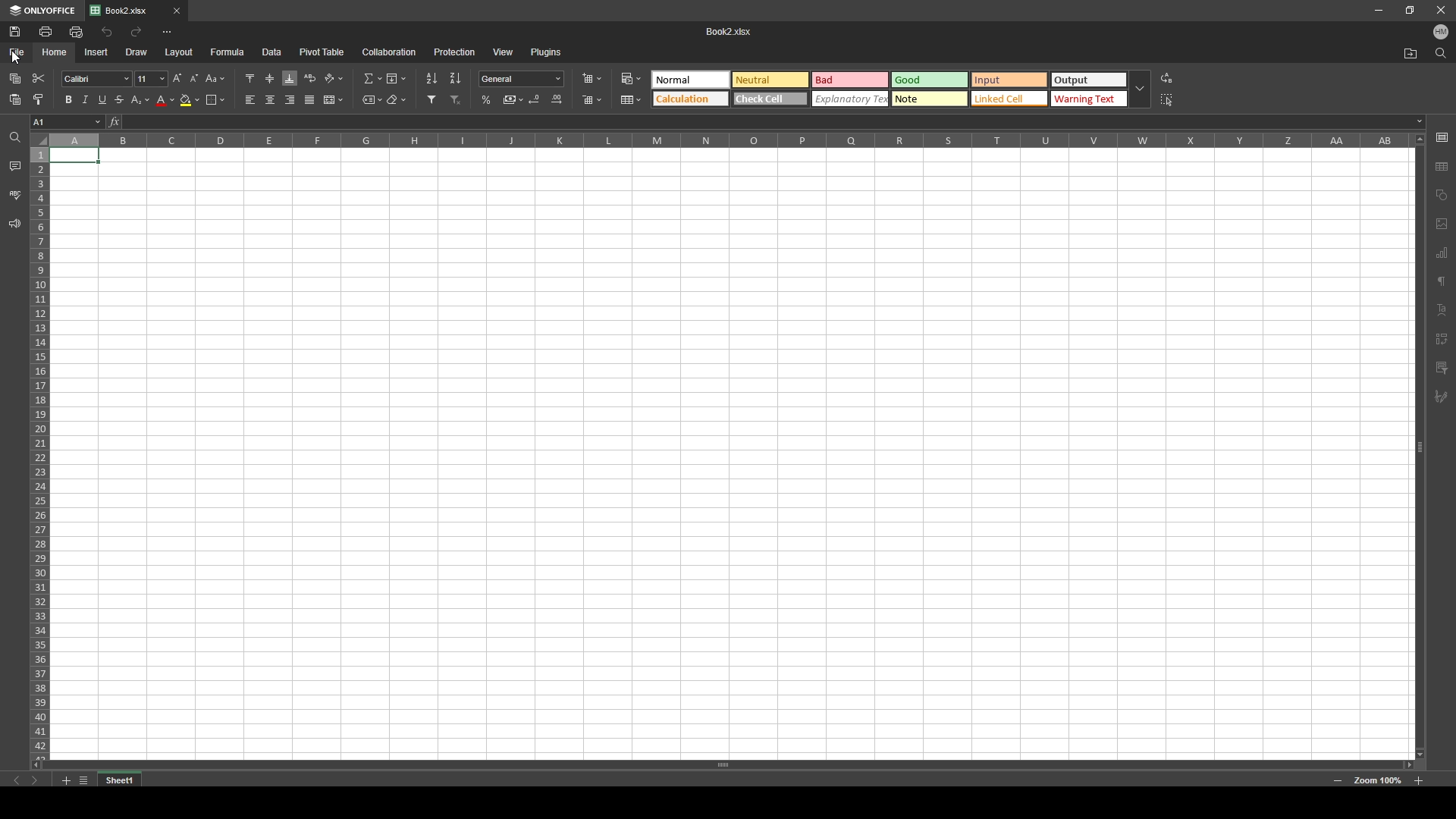 This screenshot has width=1456, height=819. Describe the element at coordinates (1420, 780) in the screenshot. I see `zoom in` at that location.